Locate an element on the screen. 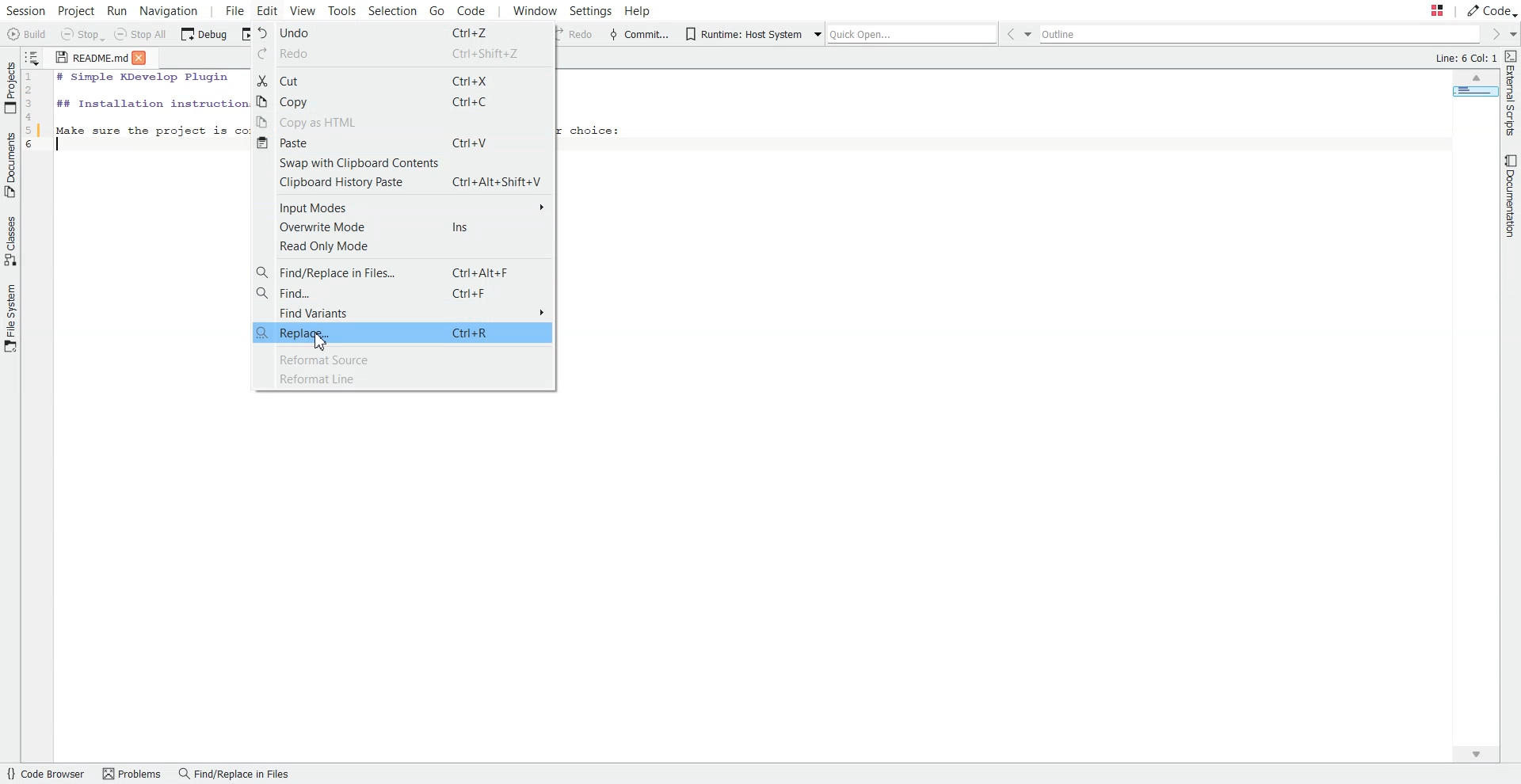 This screenshot has height=784, width=1521. Page Overview is located at coordinates (1473, 94).